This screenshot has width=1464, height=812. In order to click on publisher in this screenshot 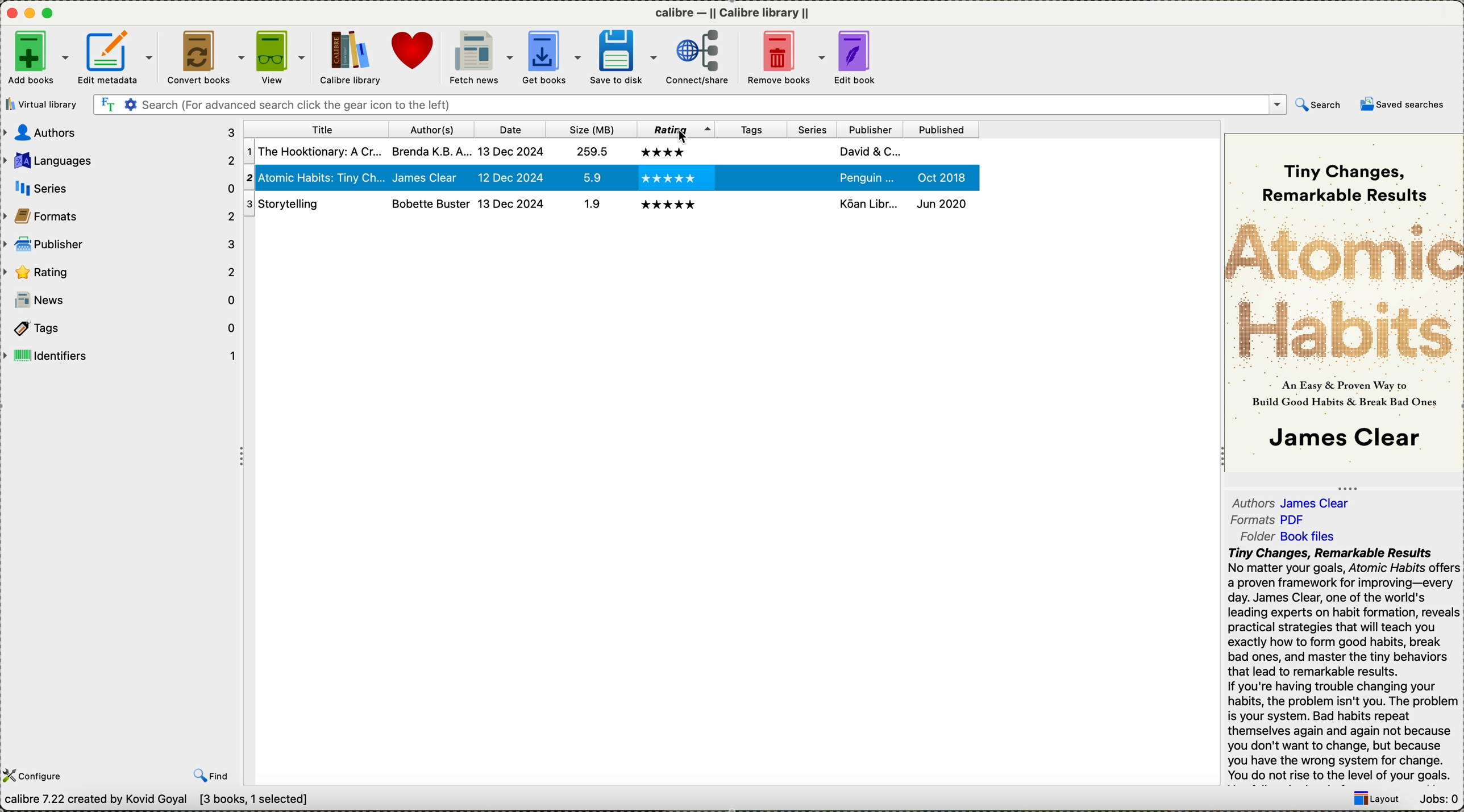, I will do `click(870, 128)`.